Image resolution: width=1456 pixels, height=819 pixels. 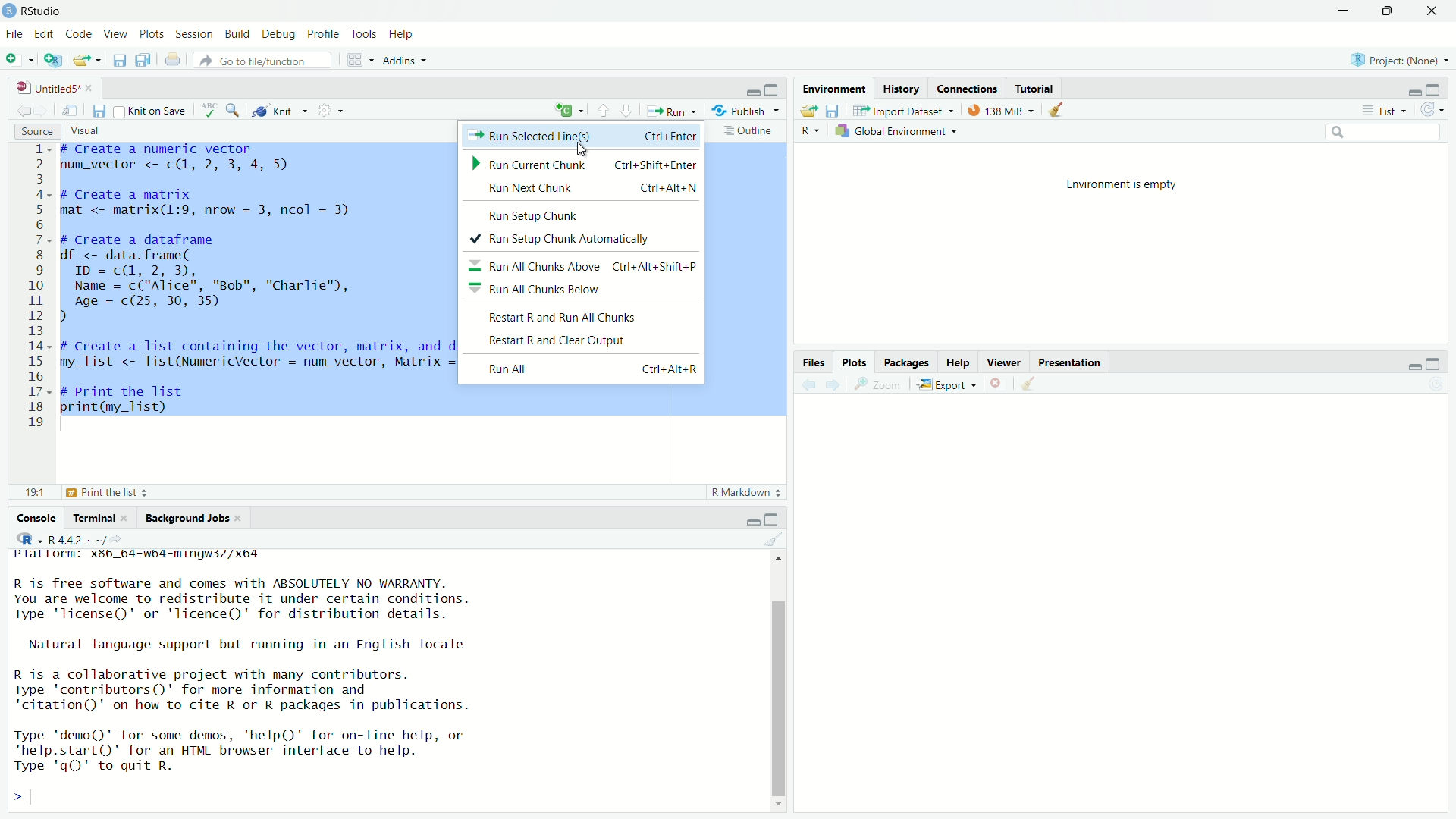 What do you see at coordinates (1077, 362) in the screenshot?
I see `Presentation` at bounding box center [1077, 362].